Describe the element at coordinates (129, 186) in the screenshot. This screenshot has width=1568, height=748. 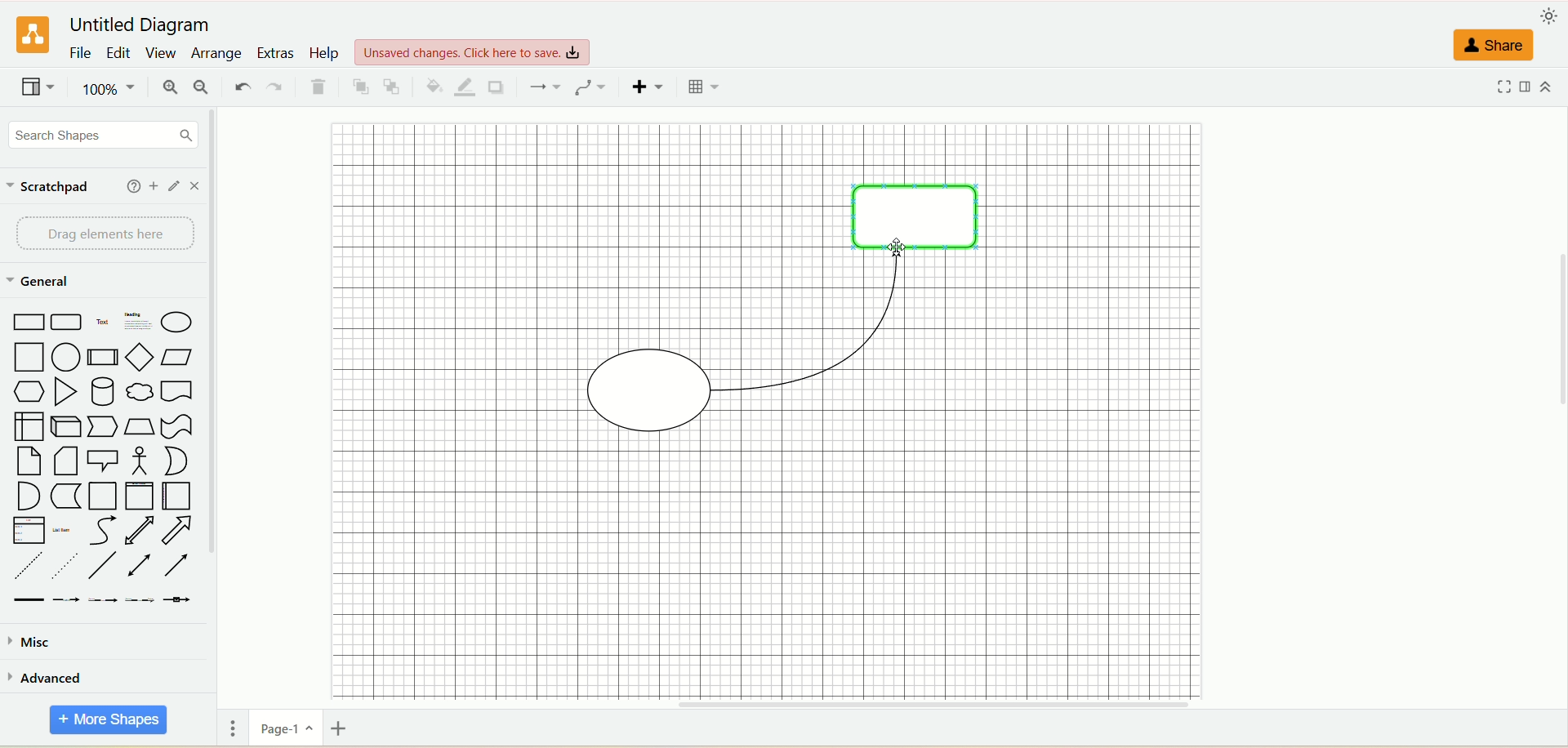
I see `help` at that location.